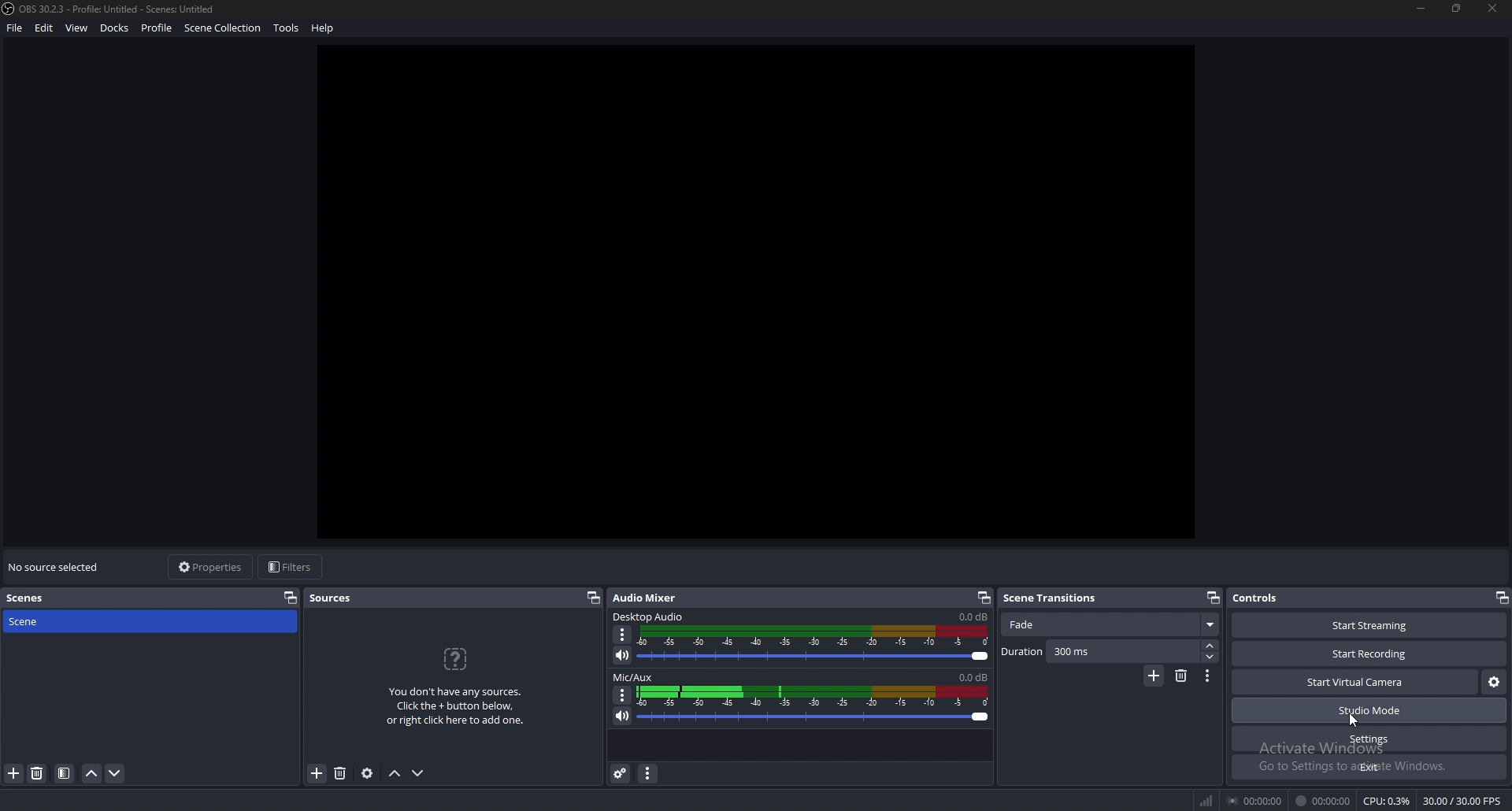 This screenshot has height=811, width=1512. Describe the element at coordinates (1369, 711) in the screenshot. I see `Studio mode` at that location.